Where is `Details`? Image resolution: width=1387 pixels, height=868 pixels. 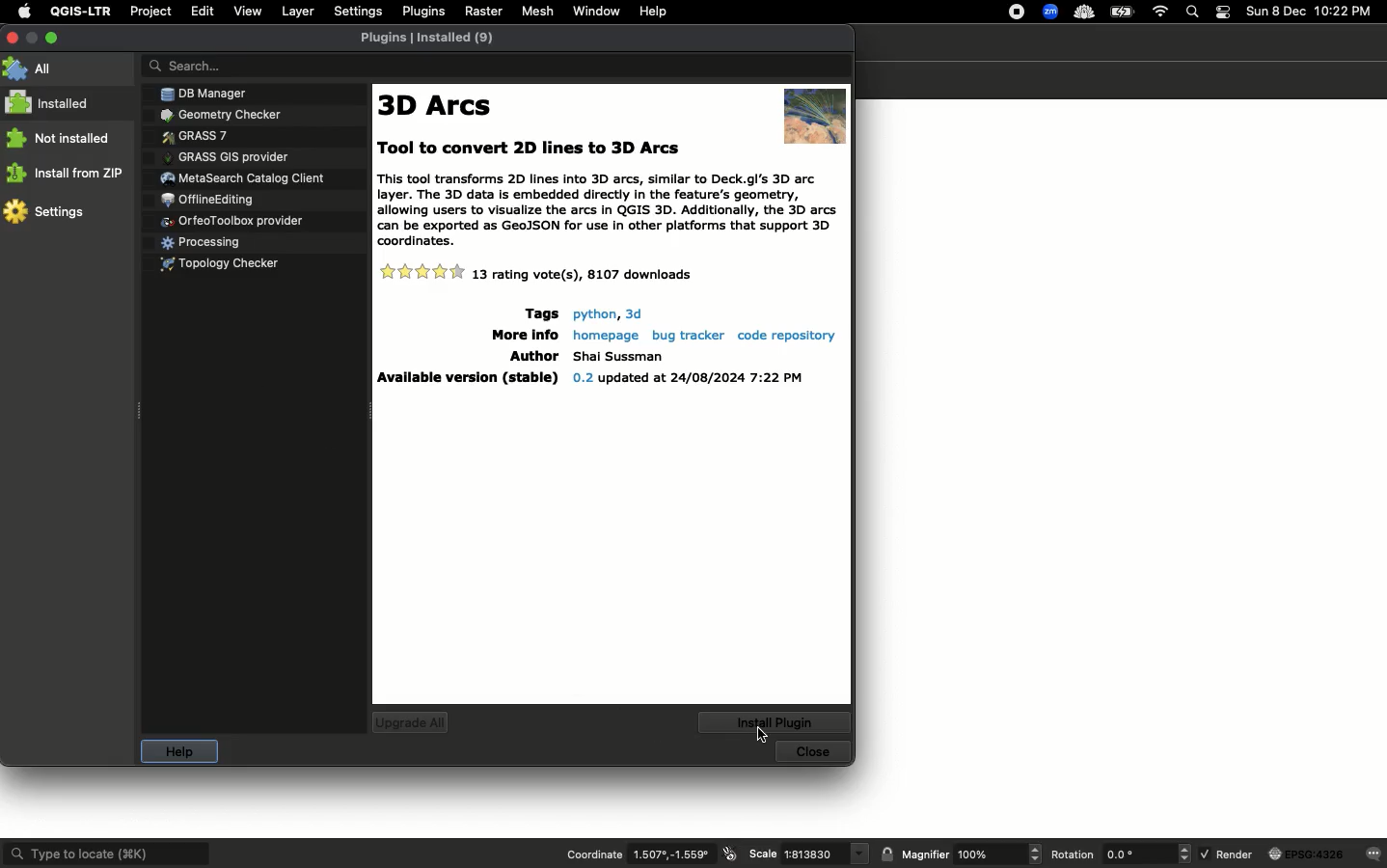 Details is located at coordinates (612, 276).